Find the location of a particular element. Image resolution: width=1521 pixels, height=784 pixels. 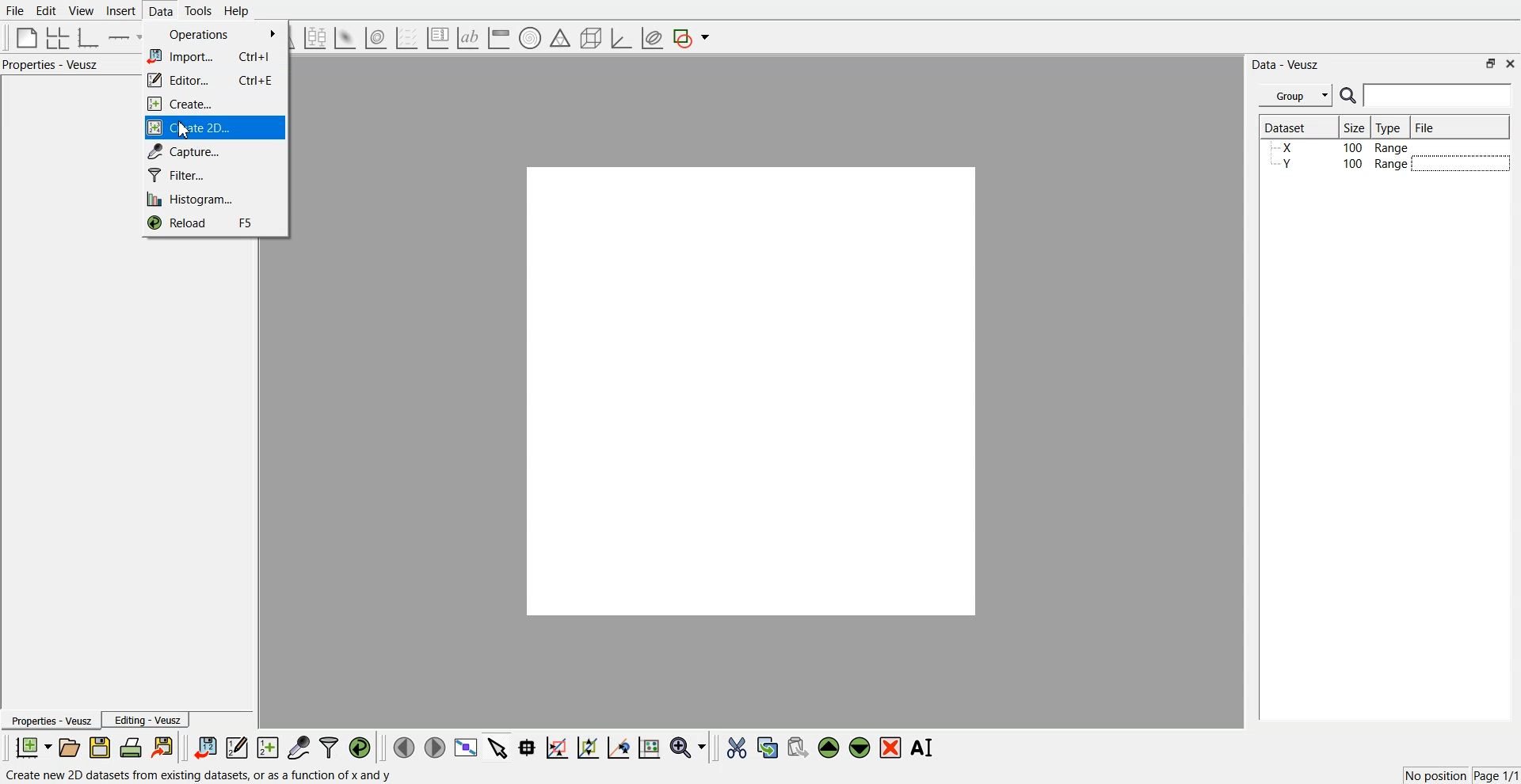

Tools is located at coordinates (199, 11).